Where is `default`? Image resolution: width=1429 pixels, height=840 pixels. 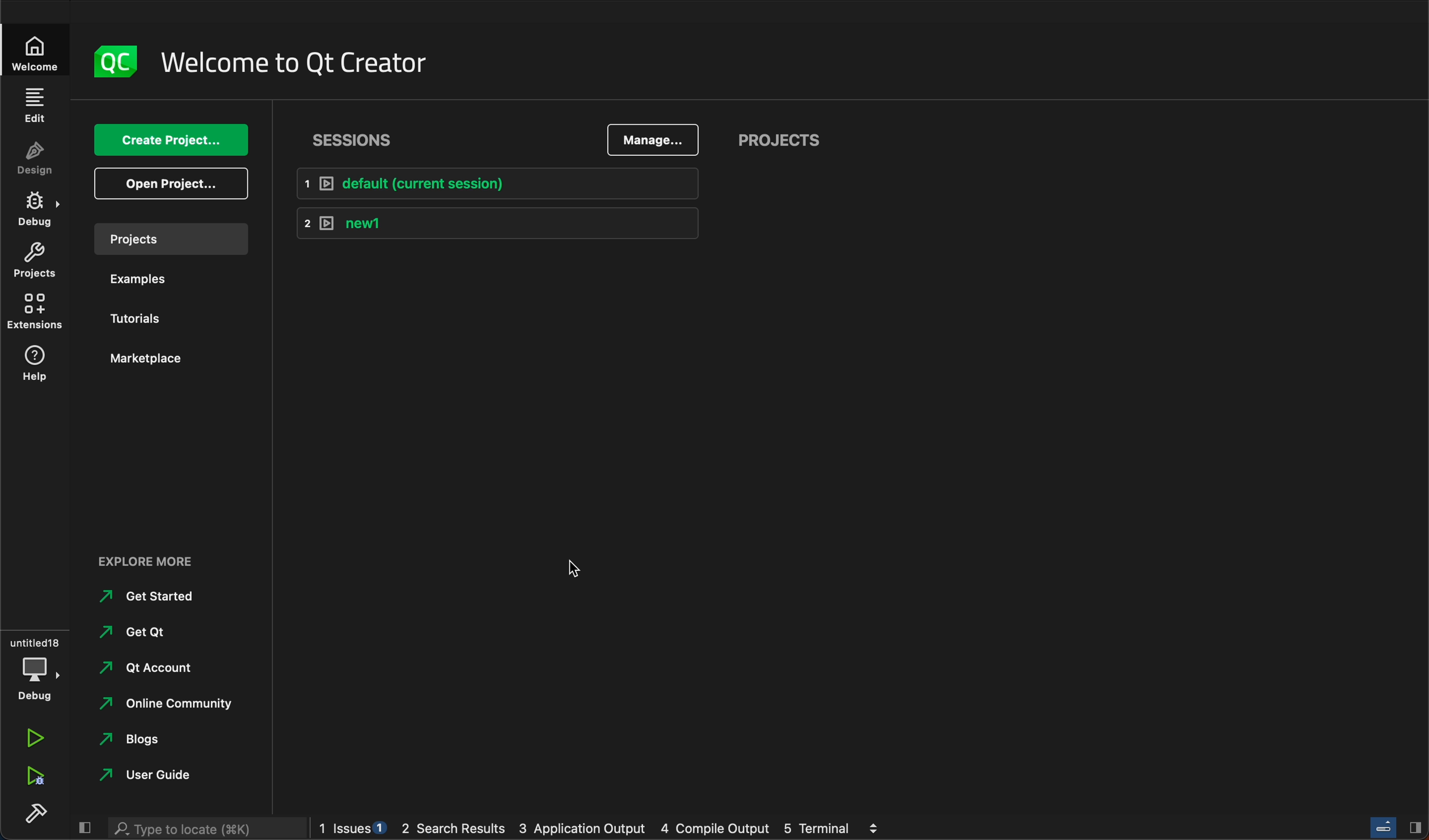 default is located at coordinates (502, 181).